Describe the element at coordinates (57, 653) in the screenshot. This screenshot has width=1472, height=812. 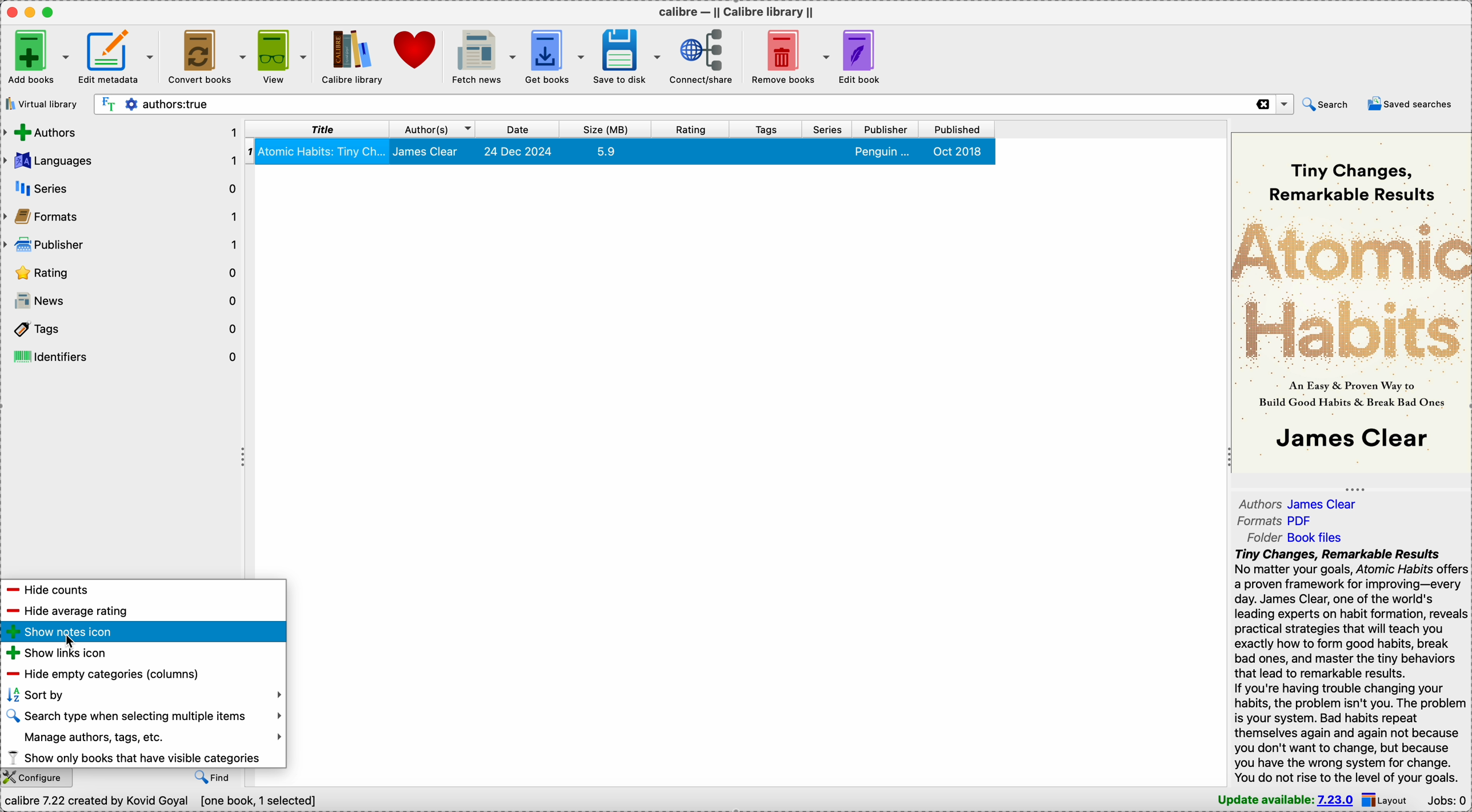
I see `show links icon` at that location.